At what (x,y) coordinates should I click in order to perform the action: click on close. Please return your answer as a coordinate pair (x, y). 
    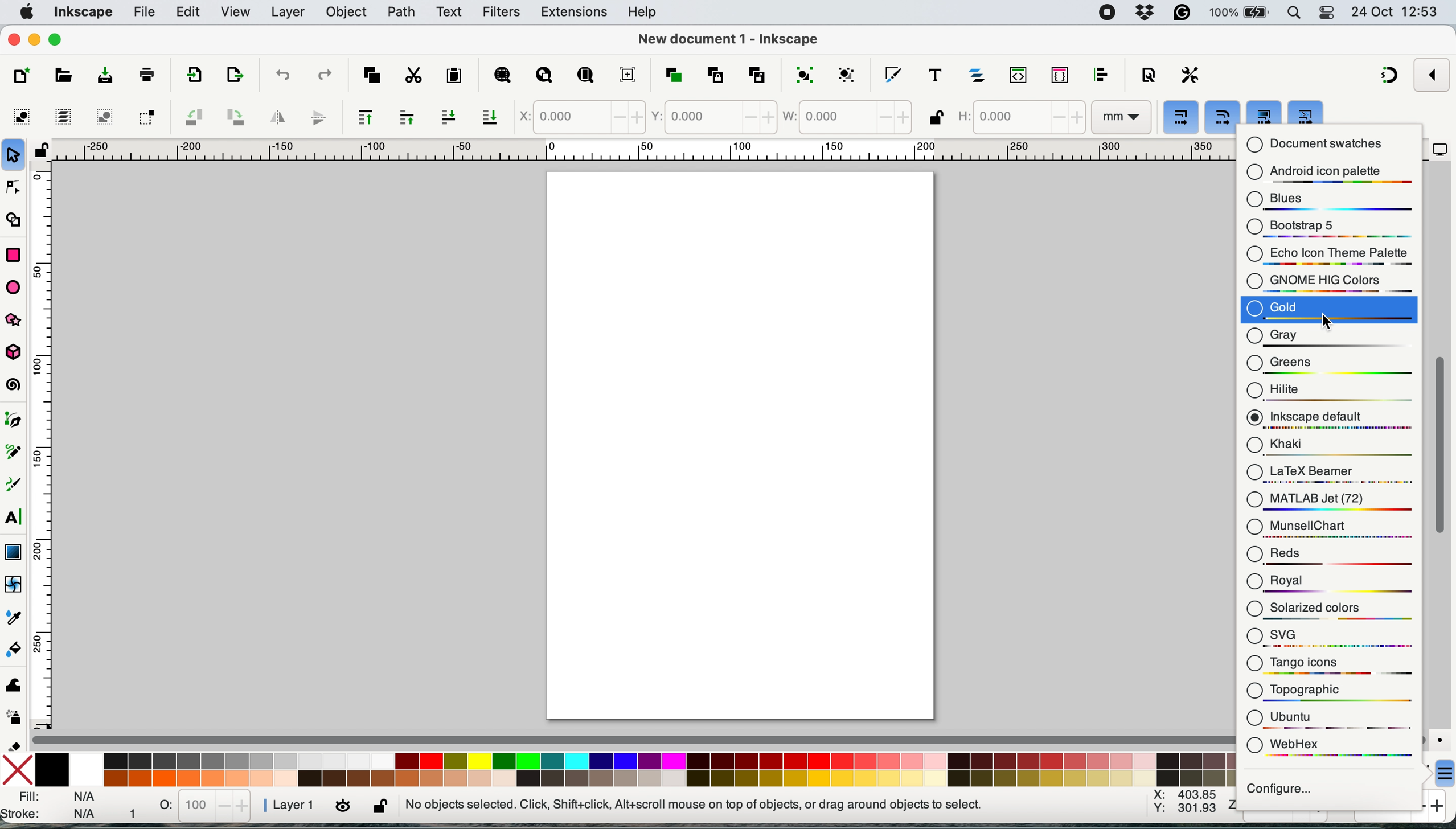
    Looking at the image, I should click on (16, 41).